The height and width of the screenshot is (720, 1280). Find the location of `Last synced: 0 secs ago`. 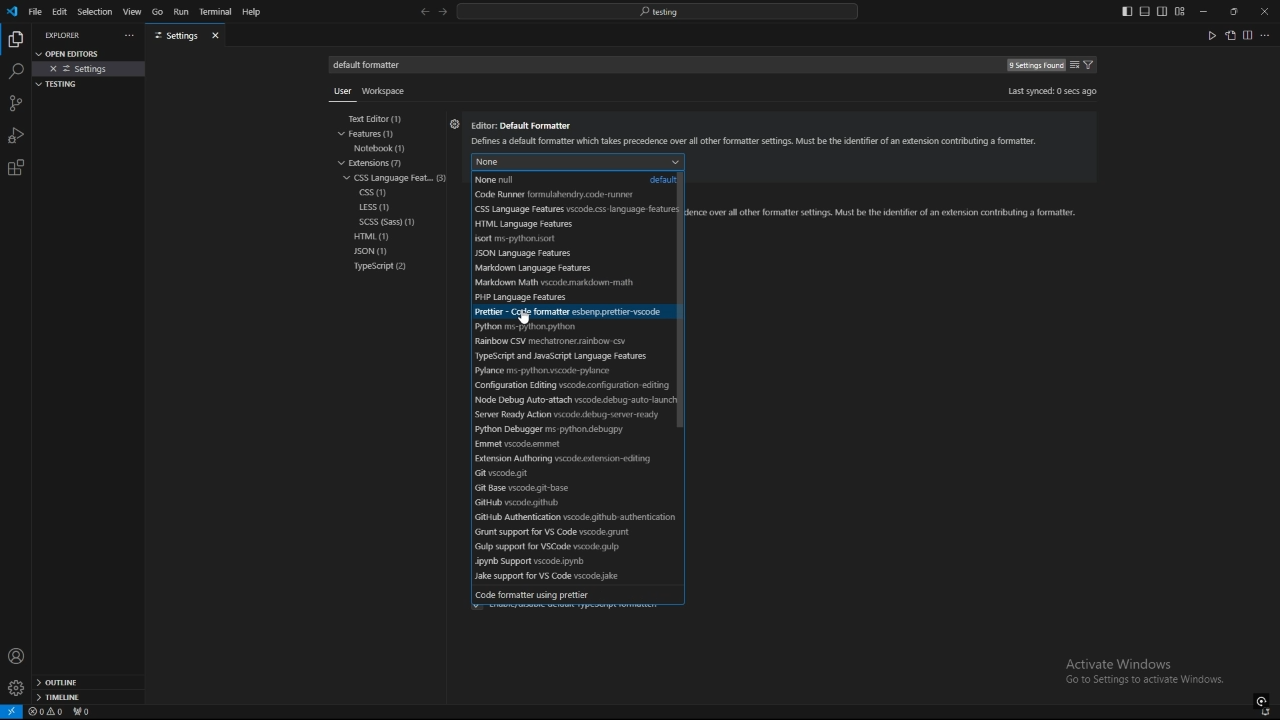

Last synced: 0 secs ago is located at coordinates (1051, 91).